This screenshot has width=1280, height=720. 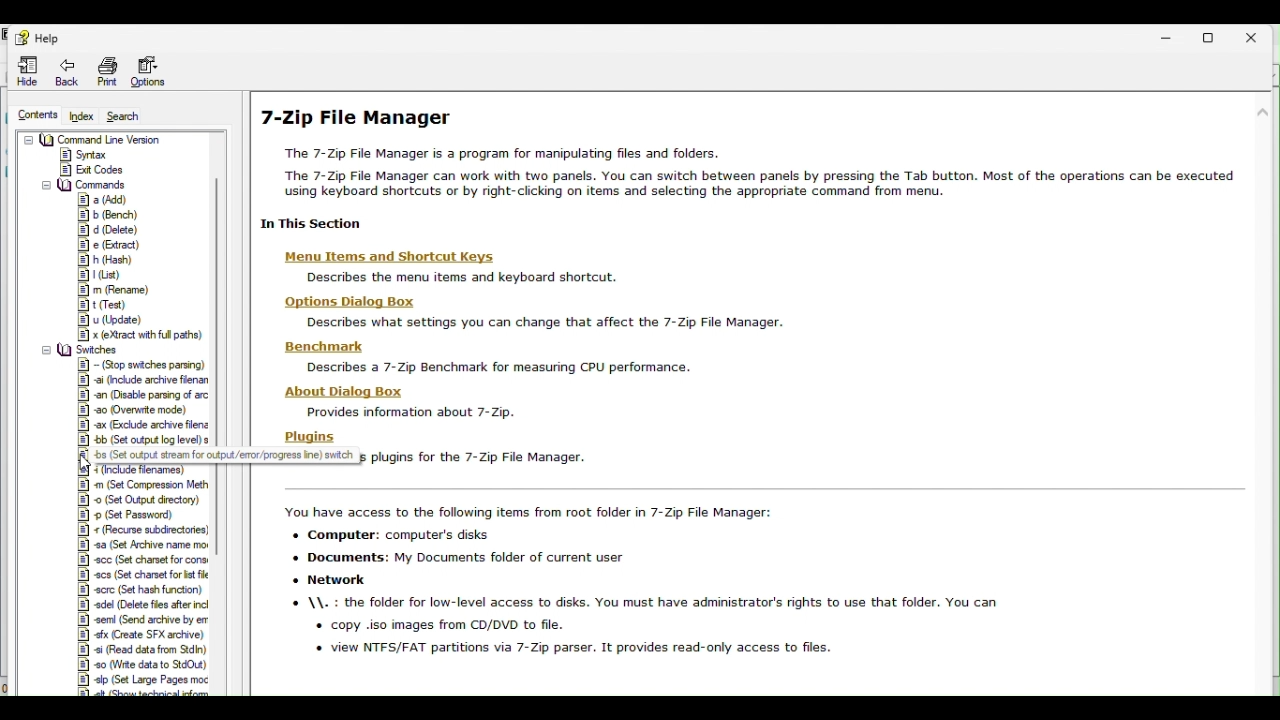 I want to click on , so click(x=224, y=455).